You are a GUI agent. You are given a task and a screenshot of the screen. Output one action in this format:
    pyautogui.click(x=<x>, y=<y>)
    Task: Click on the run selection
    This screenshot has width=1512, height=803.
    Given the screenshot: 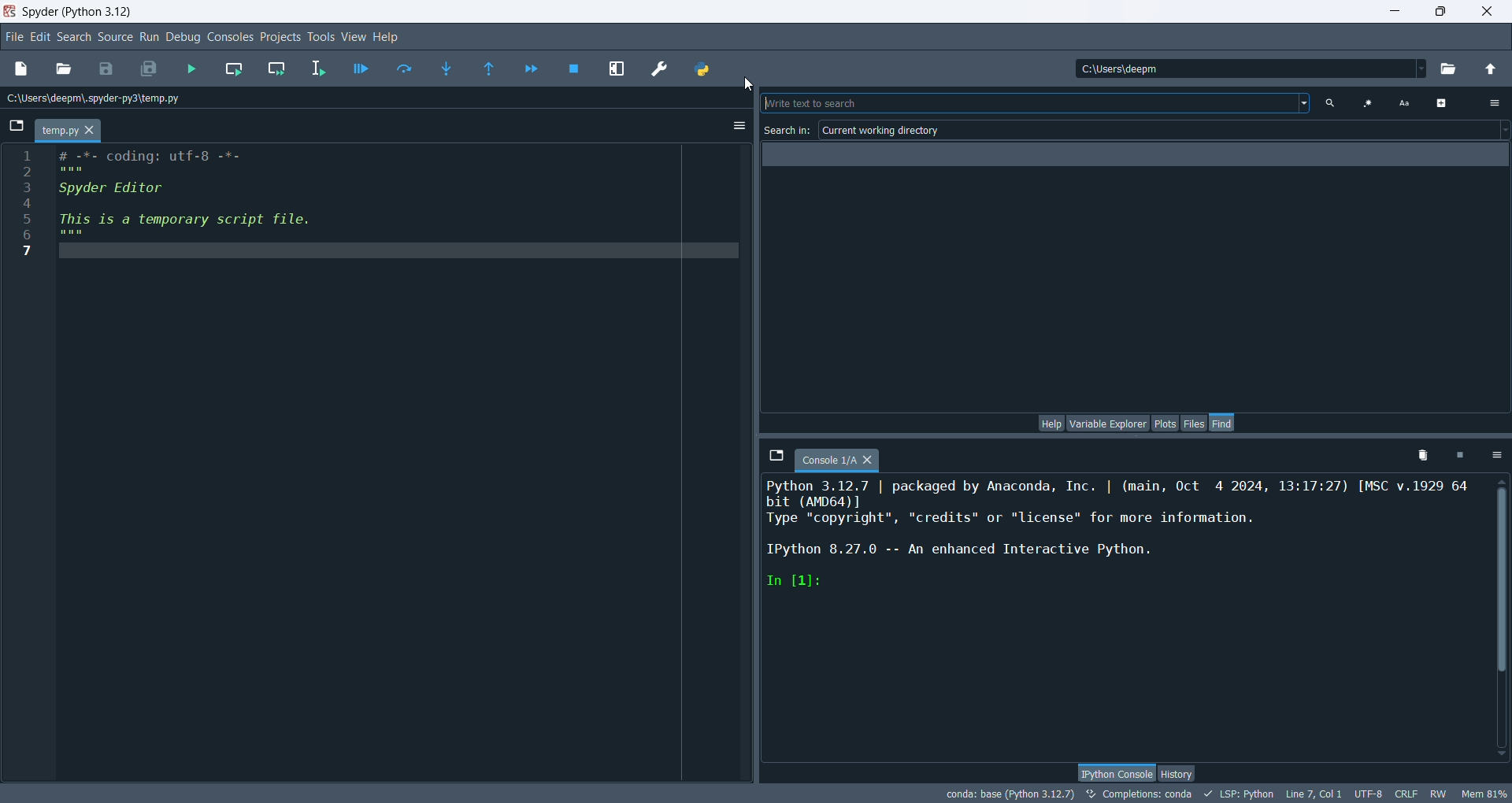 What is the action you would take?
    pyautogui.click(x=318, y=67)
    